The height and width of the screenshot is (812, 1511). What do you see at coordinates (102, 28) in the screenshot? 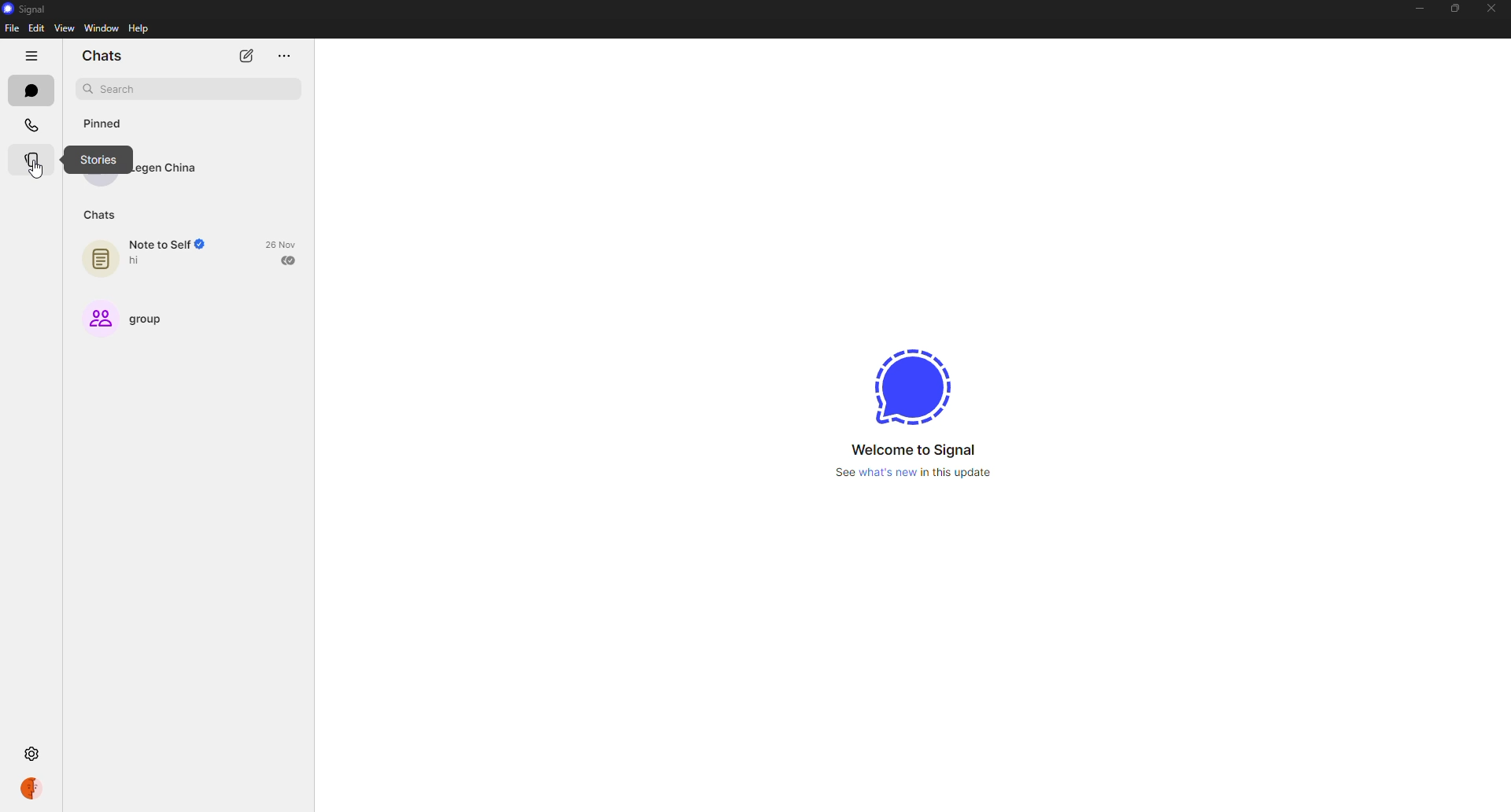
I see `window` at bounding box center [102, 28].